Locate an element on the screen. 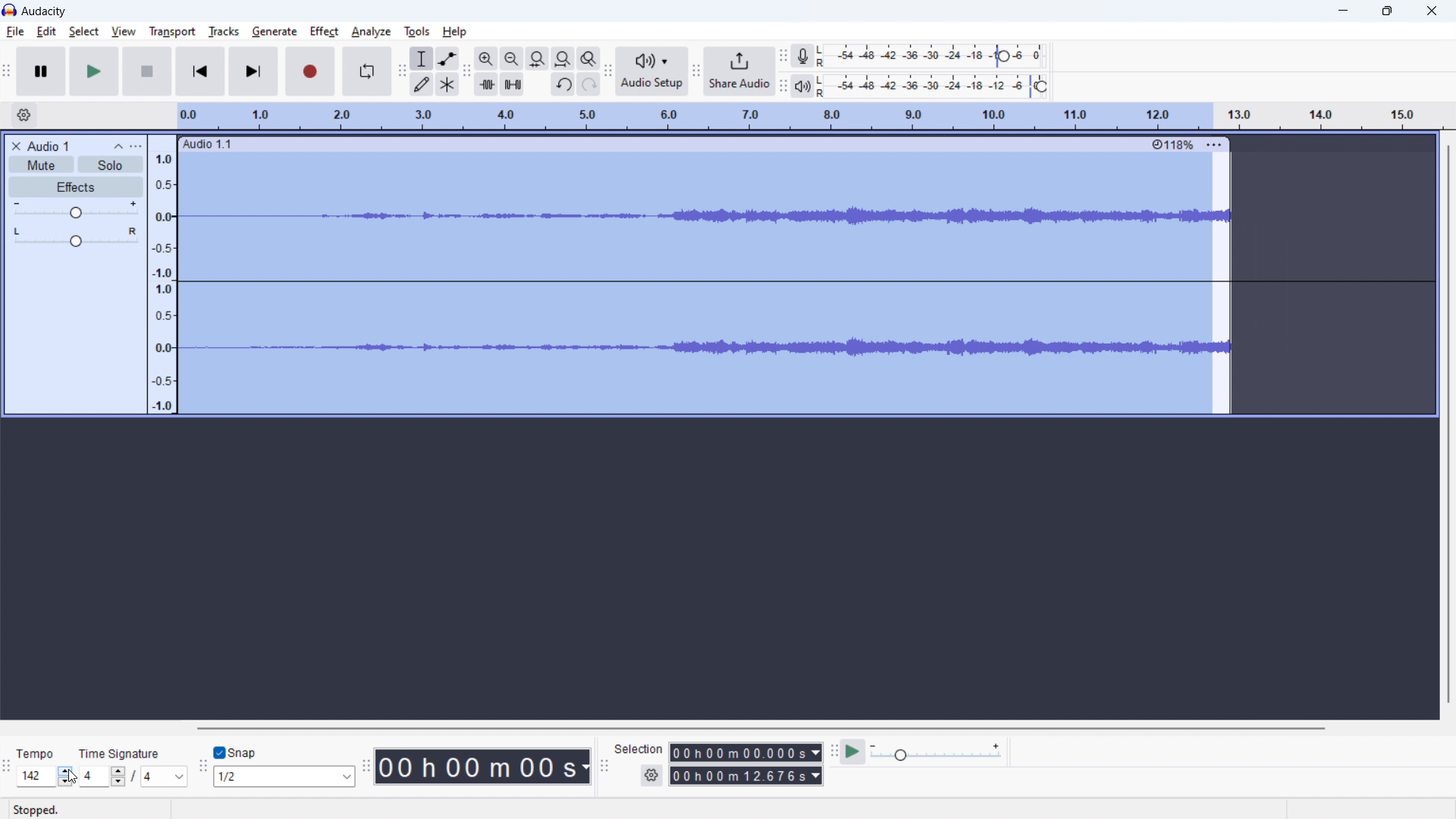 The height and width of the screenshot is (819, 1456). snapping toolbar is located at coordinates (202, 765).